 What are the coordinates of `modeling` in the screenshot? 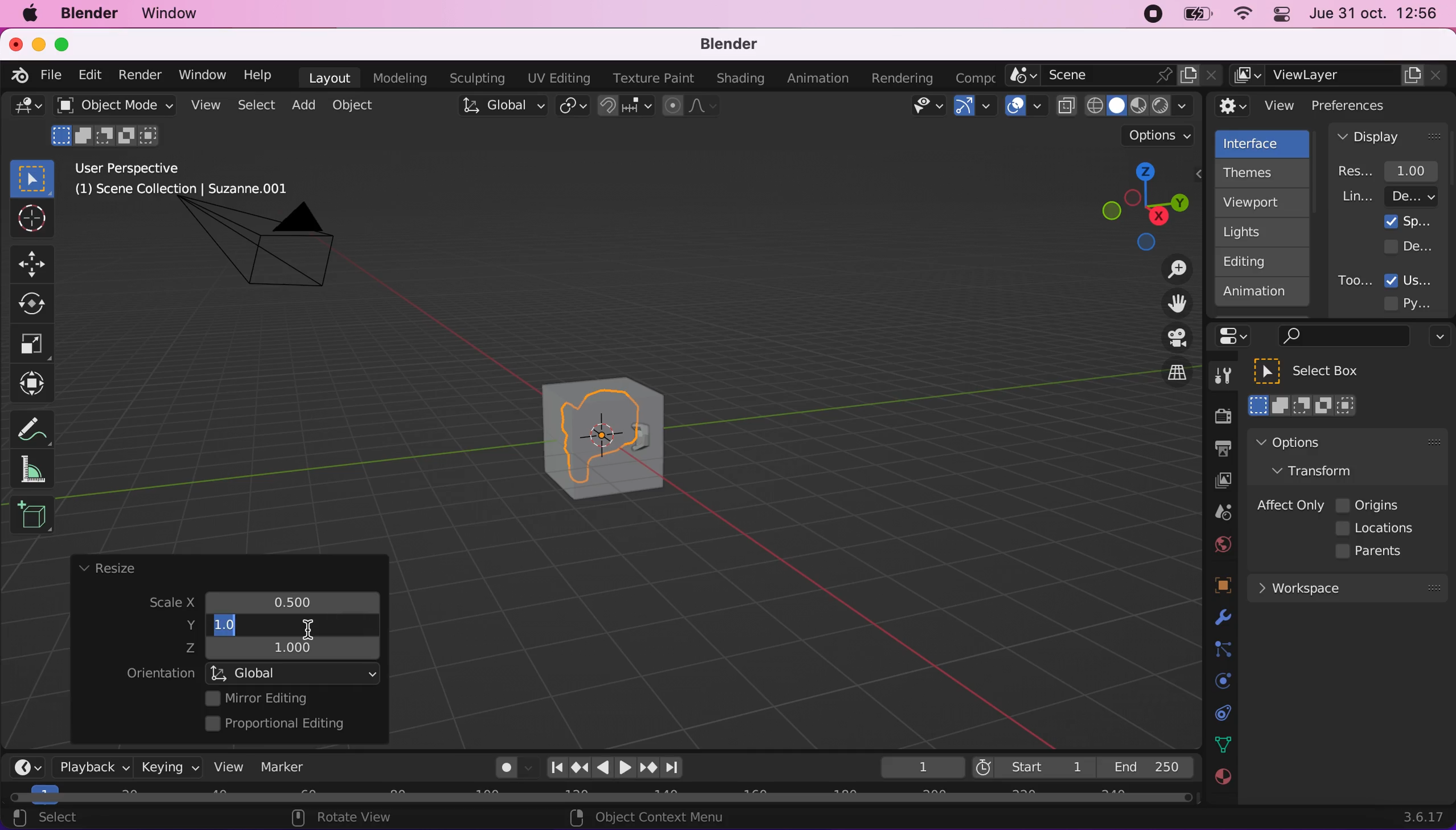 It's located at (398, 79).